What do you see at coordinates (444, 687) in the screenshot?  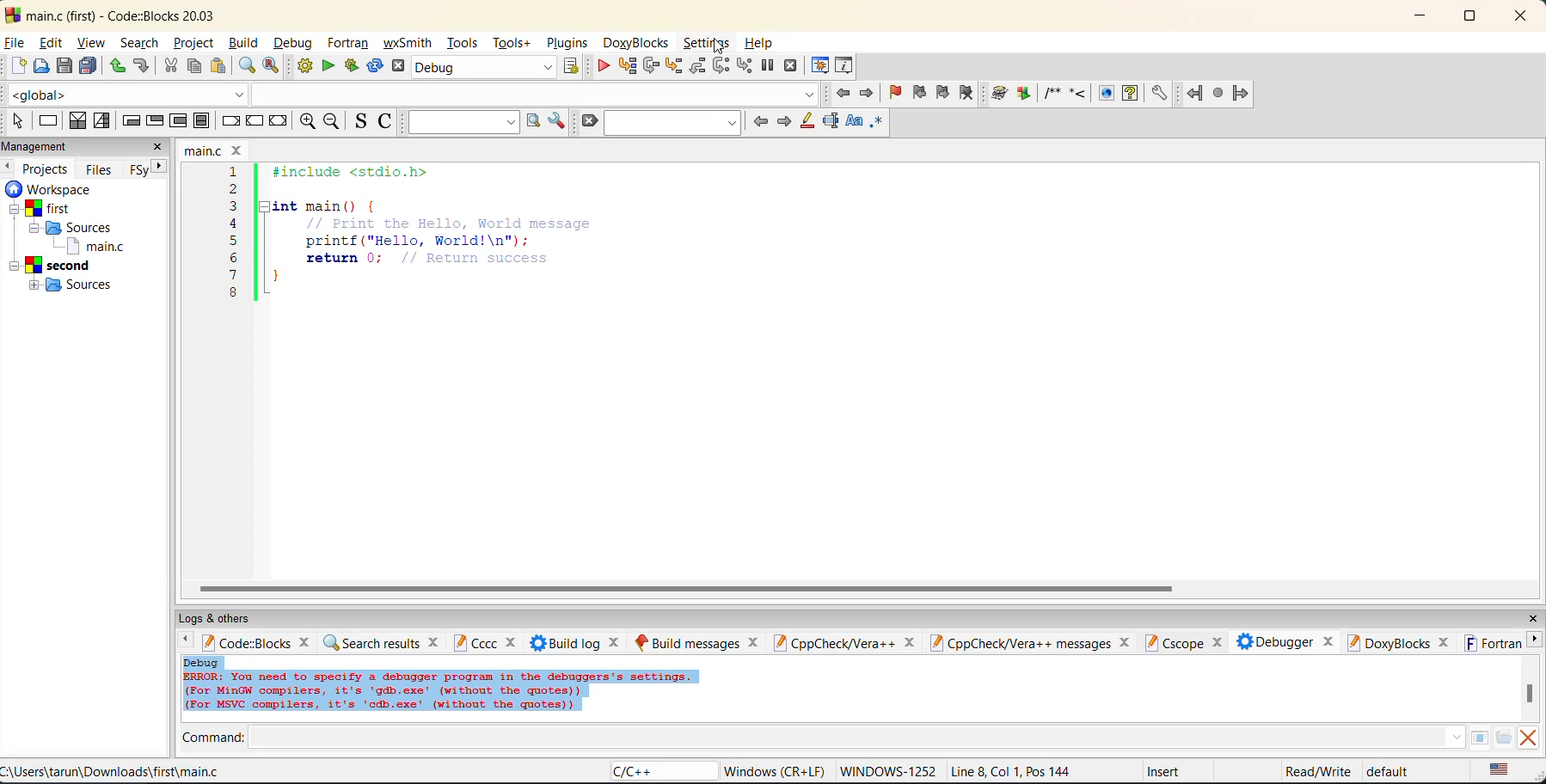 I see `Debug

ERROR: You need to specify a debugger program in the debuggers's settings.
(For MinGW compilers, it's 'gdb.exe’ (without the quotes))

(For MsVC compilers, it's 'cdb.exe' (without the quotes))` at bounding box center [444, 687].